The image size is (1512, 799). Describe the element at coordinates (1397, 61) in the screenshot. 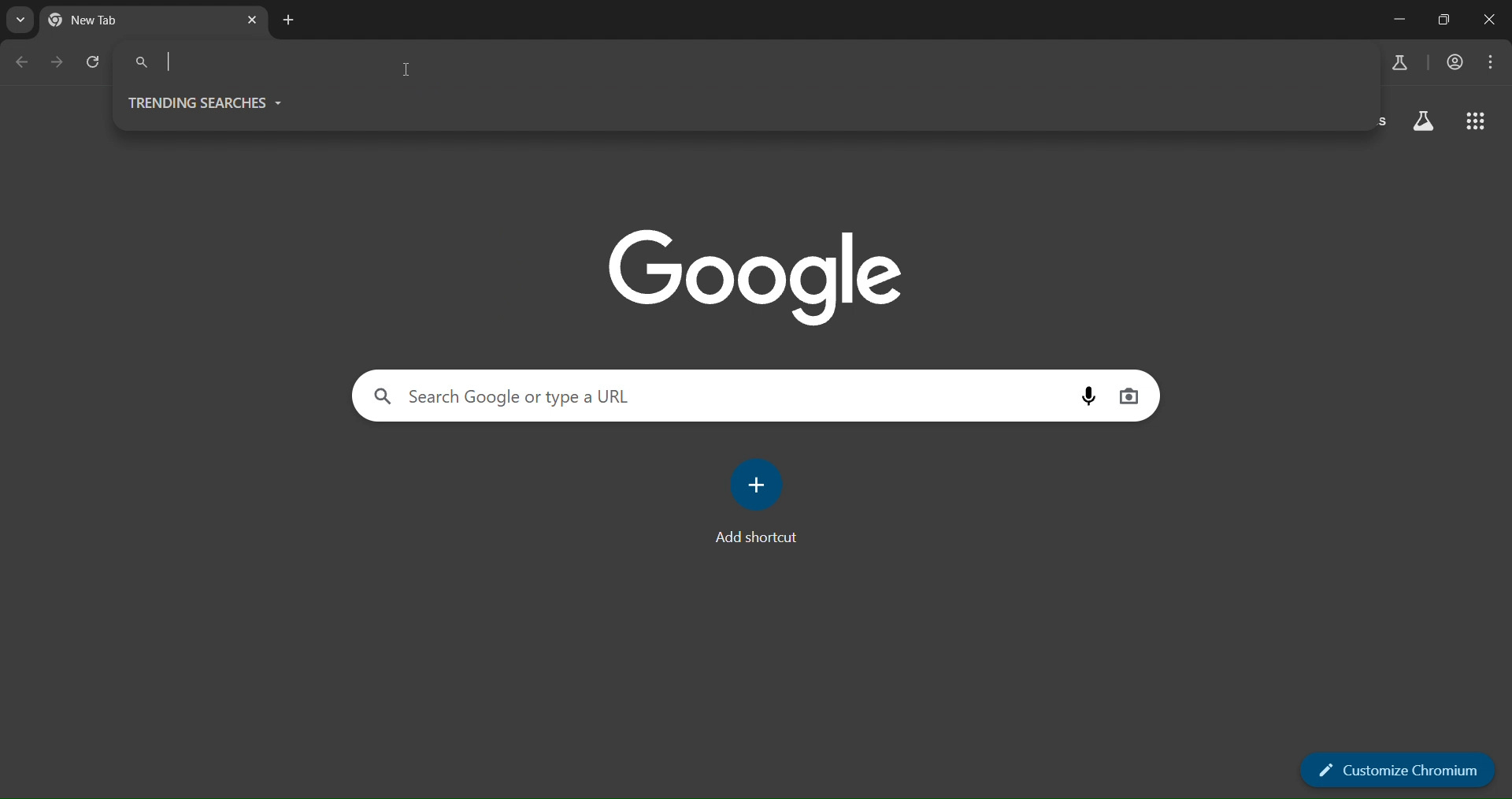

I see `search labs` at that location.